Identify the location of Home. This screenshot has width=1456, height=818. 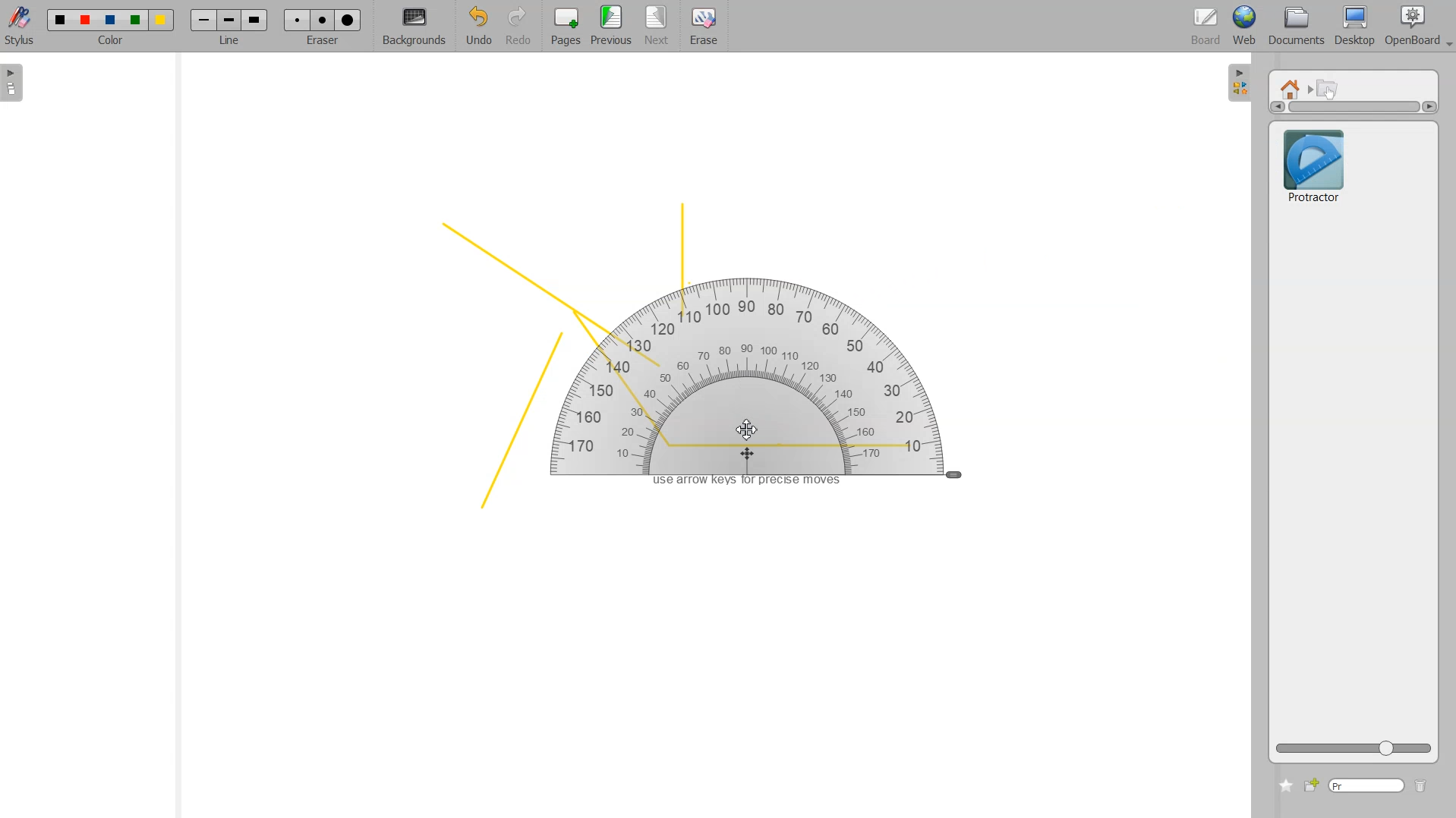
(1293, 88).